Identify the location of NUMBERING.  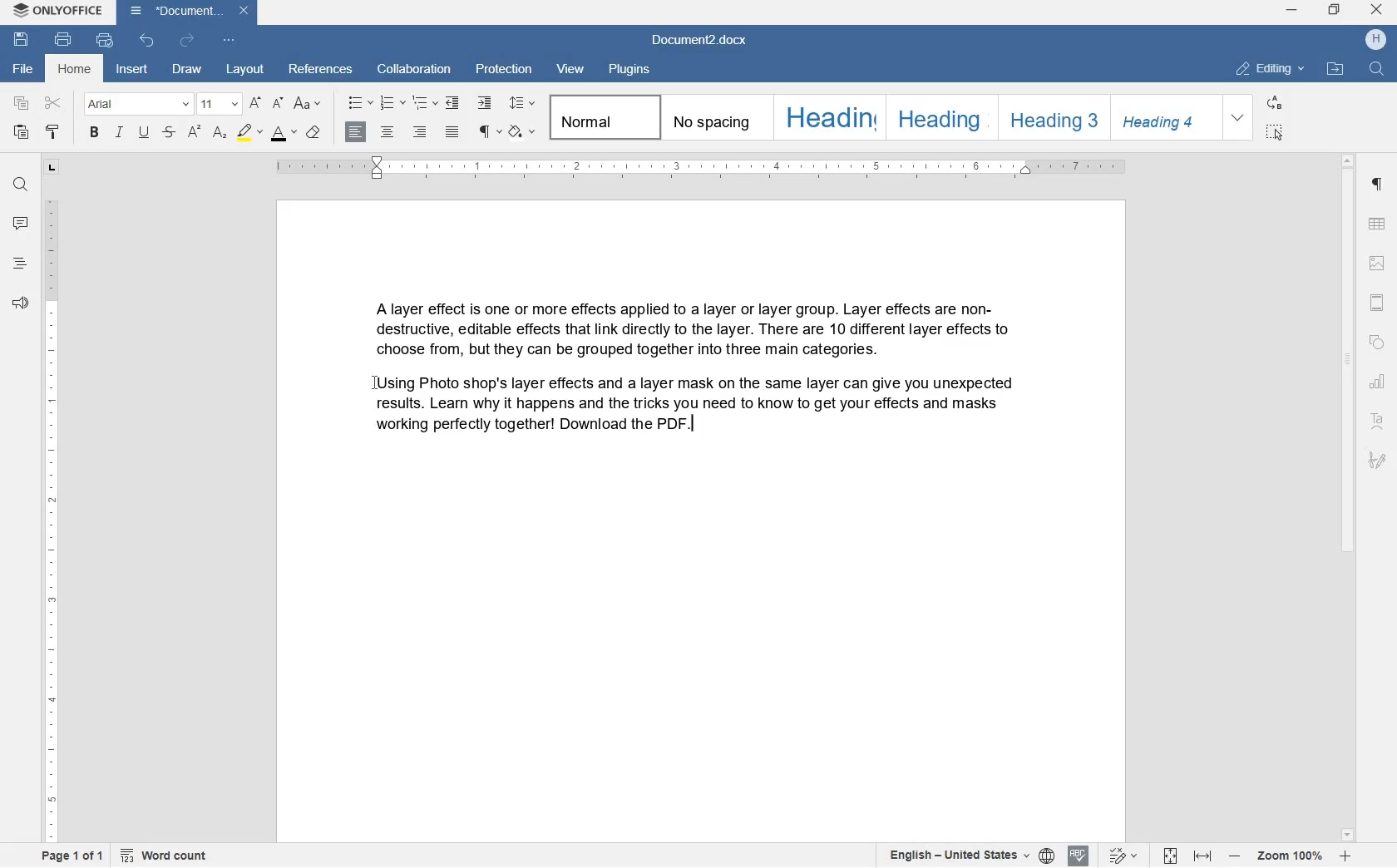
(393, 102).